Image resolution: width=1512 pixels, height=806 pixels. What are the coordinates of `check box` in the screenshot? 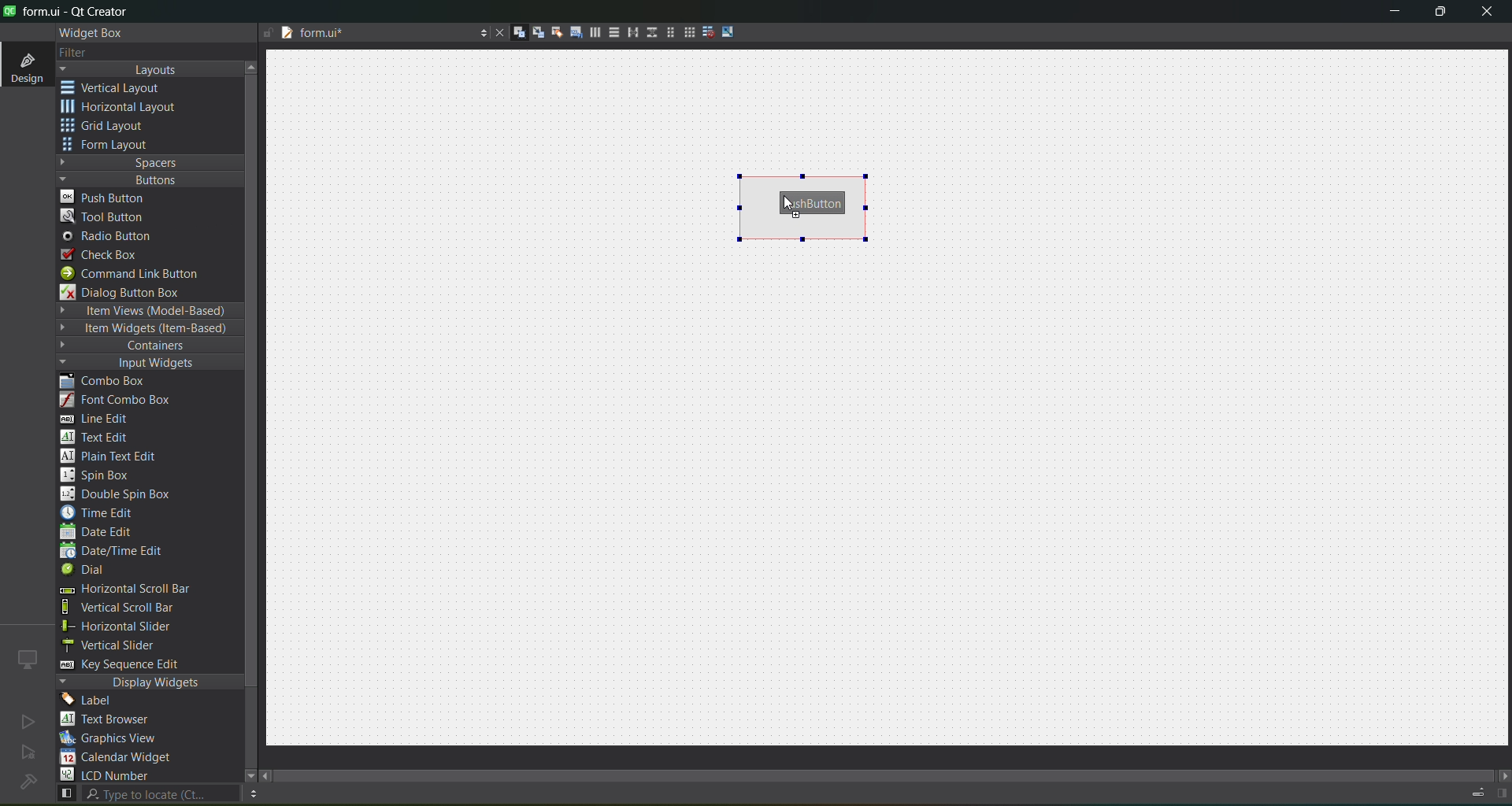 It's located at (107, 255).